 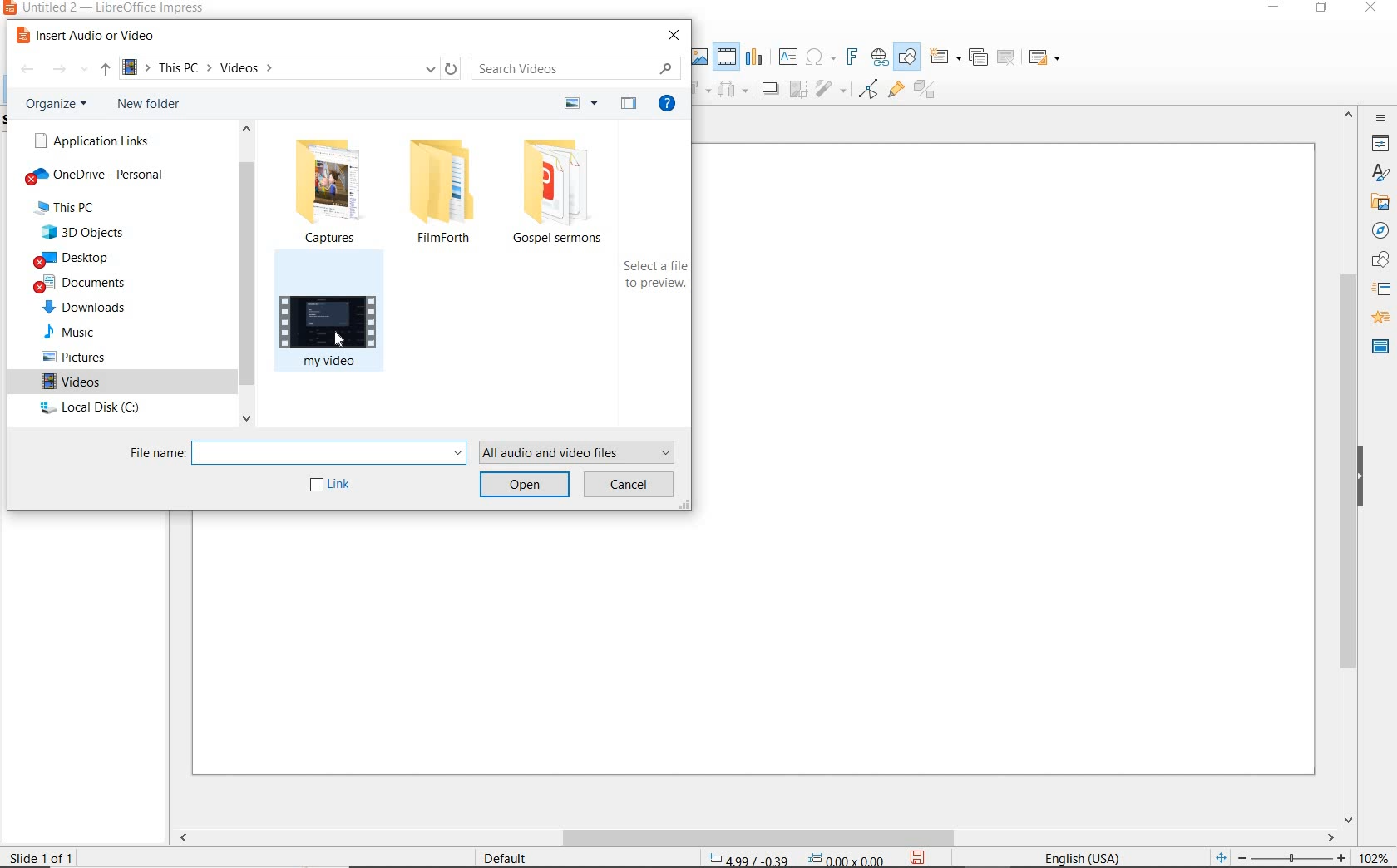 What do you see at coordinates (93, 140) in the screenshot?
I see `APPLICATION LINKS` at bounding box center [93, 140].